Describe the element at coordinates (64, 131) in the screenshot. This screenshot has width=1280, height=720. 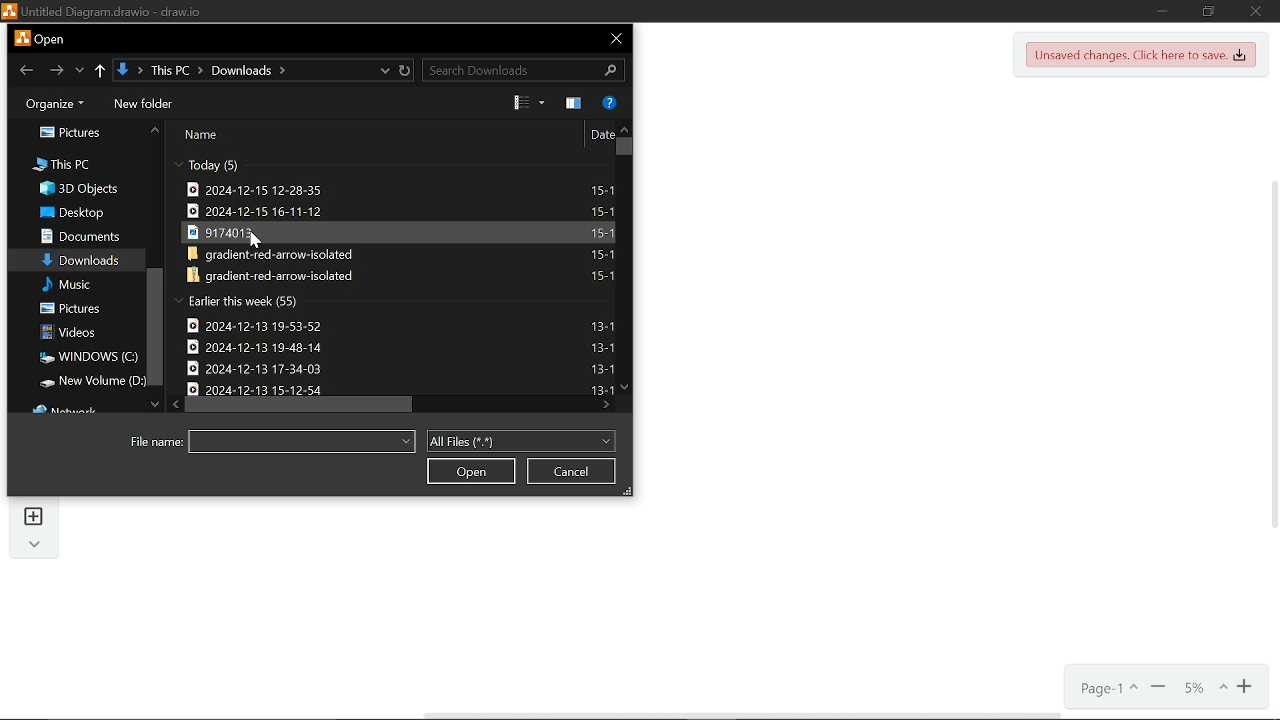
I see `pictures` at that location.